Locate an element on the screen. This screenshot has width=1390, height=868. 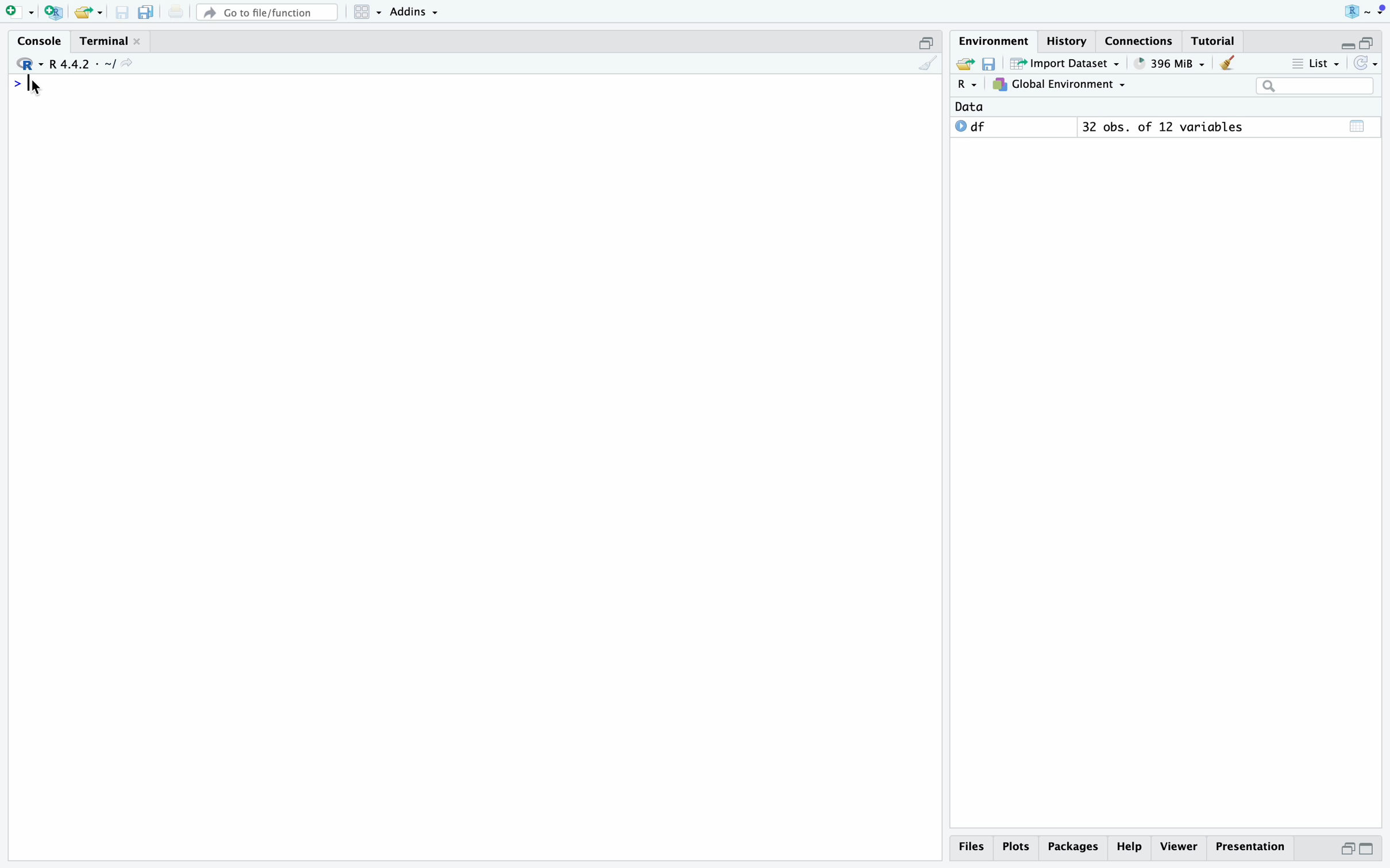
Addins is located at coordinates (415, 12).